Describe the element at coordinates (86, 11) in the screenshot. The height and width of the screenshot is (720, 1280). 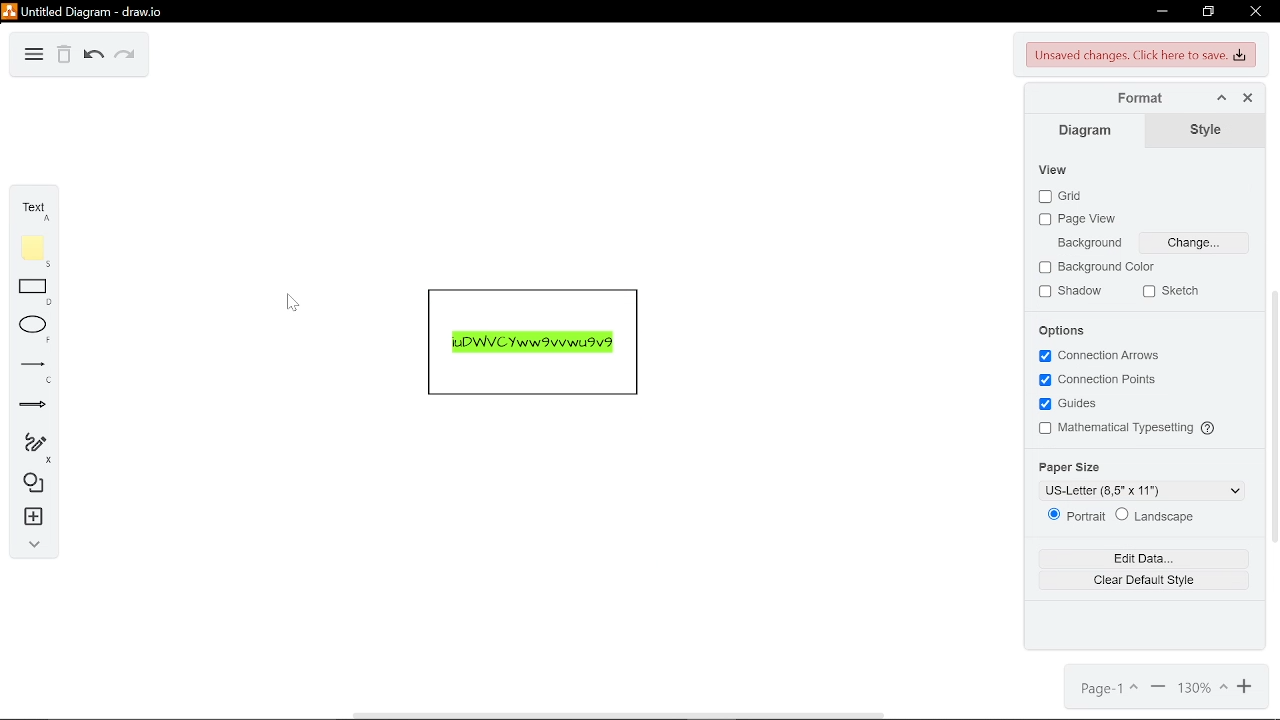
I see `Untitled Diagram-draw.io` at that location.